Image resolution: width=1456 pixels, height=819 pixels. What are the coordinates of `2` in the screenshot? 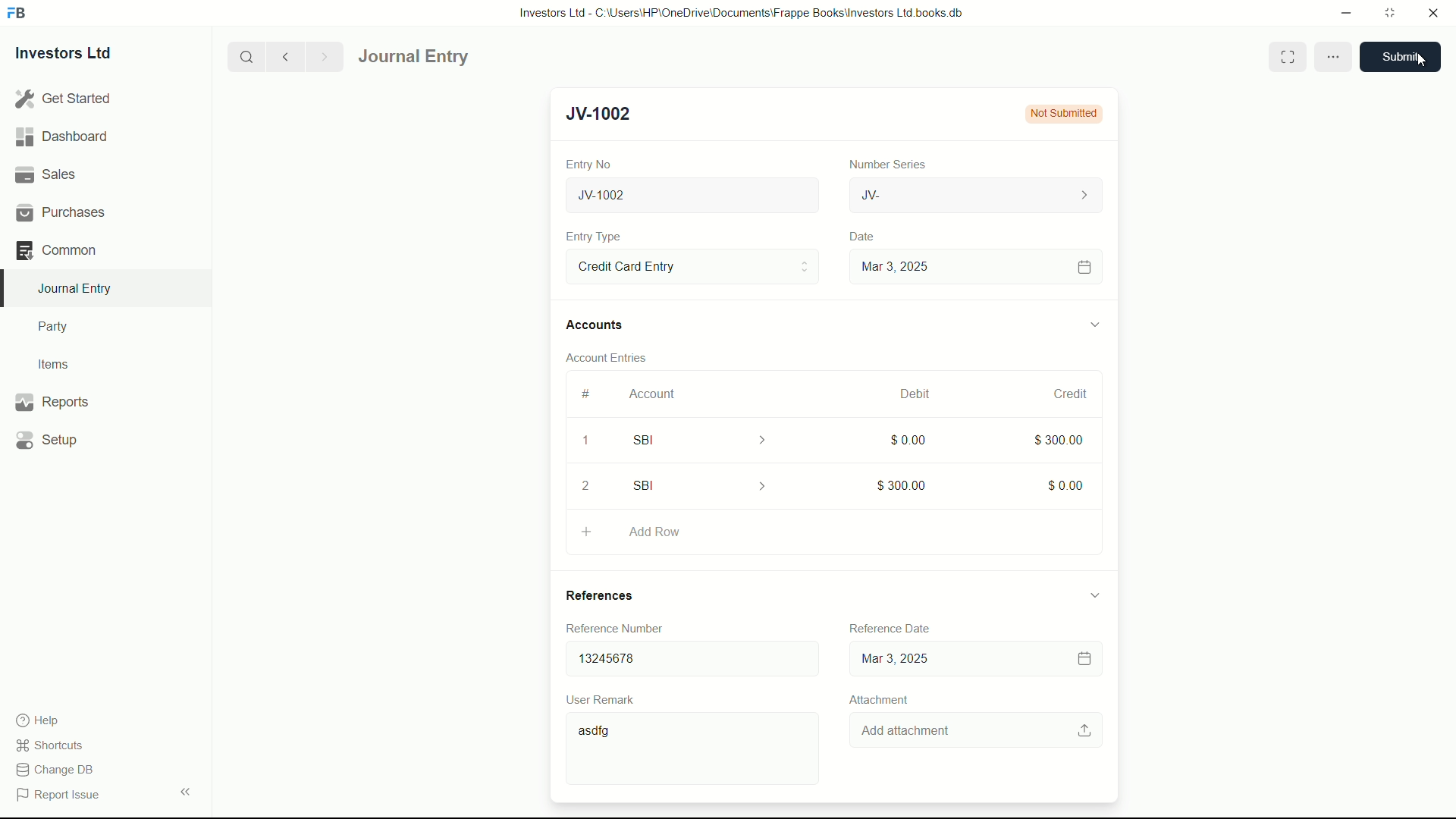 It's located at (591, 485).